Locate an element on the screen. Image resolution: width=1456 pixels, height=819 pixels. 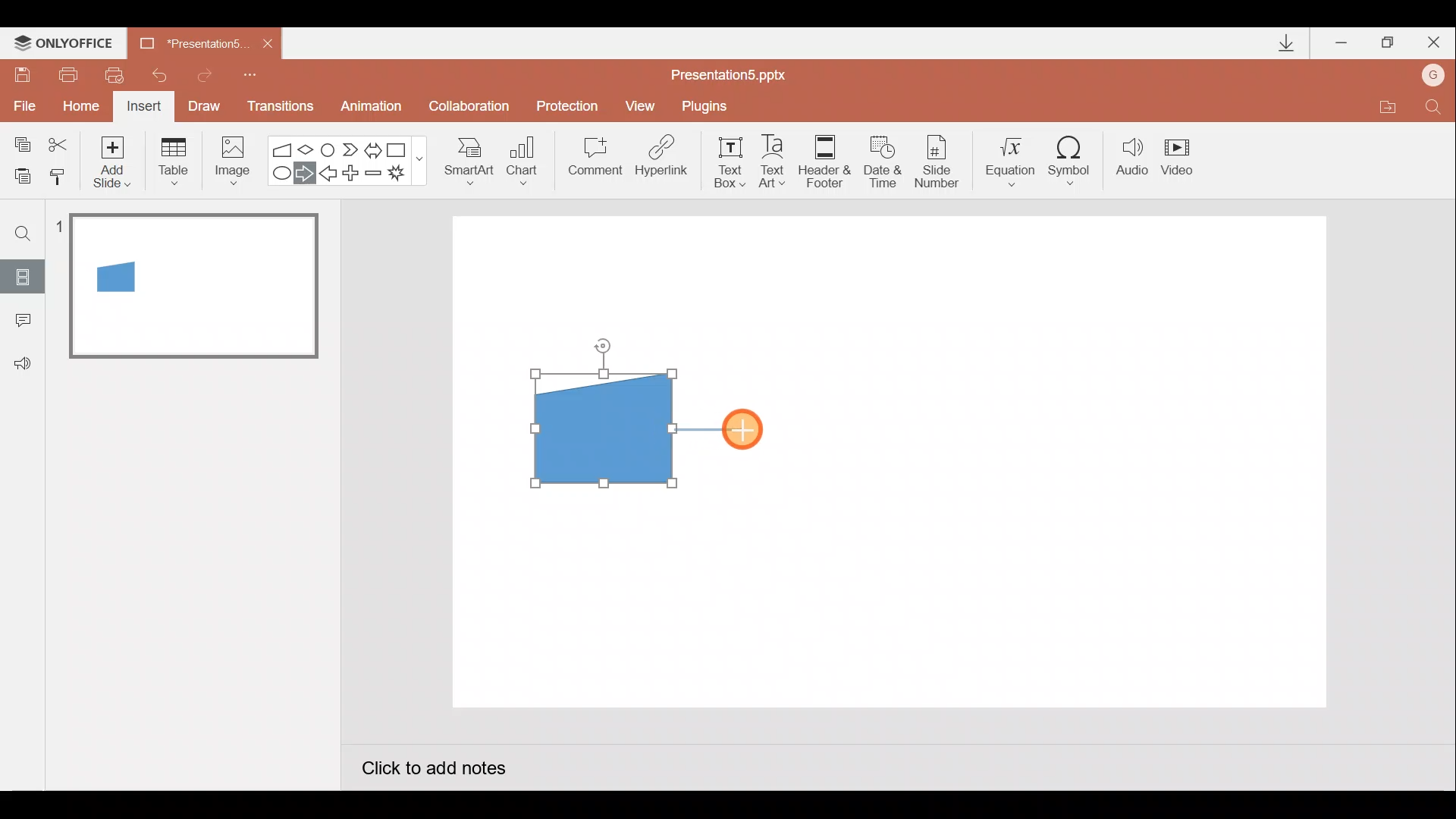
Copy style is located at coordinates (59, 174).